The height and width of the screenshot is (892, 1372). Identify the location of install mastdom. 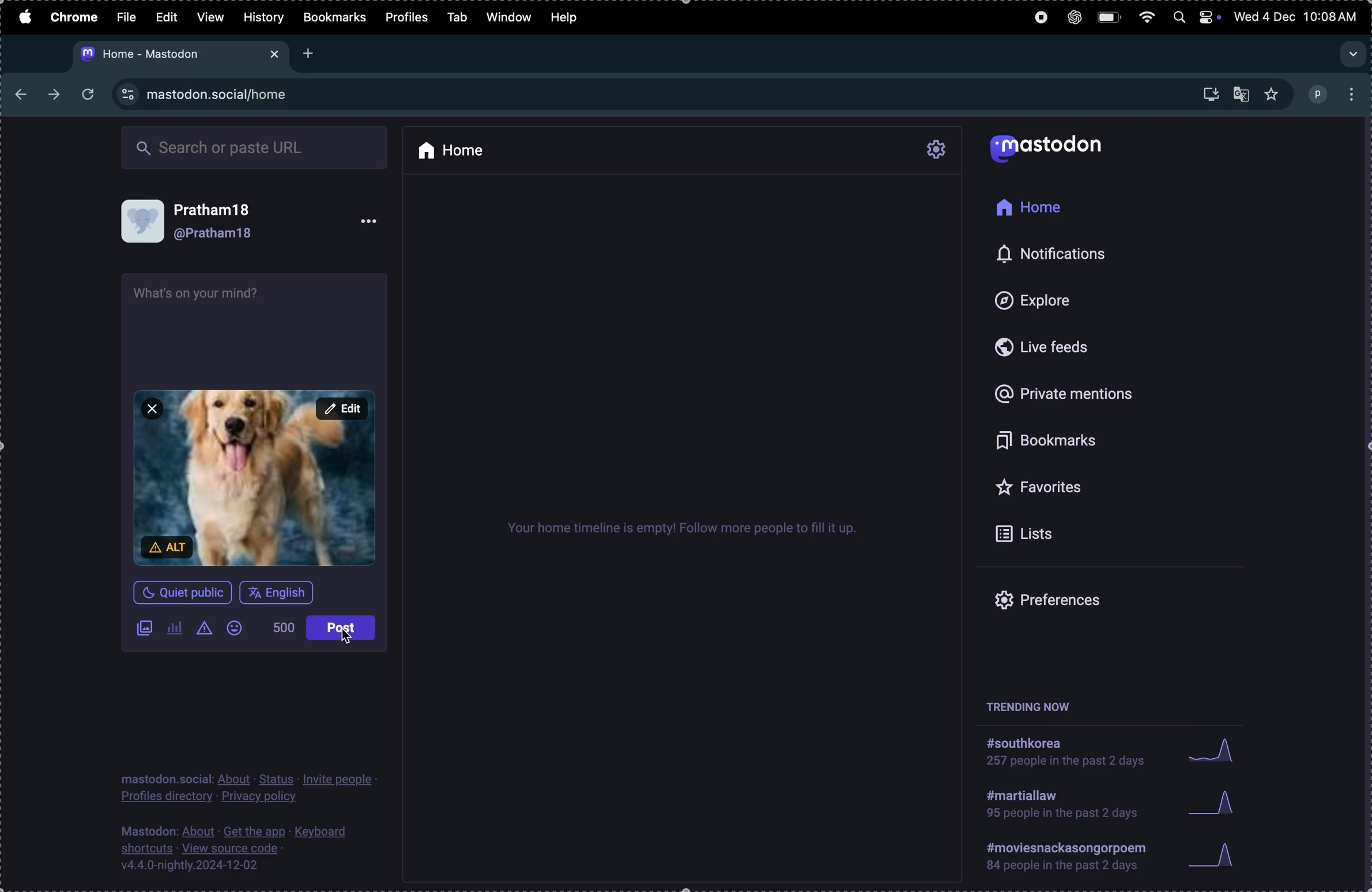
(1209, 93).